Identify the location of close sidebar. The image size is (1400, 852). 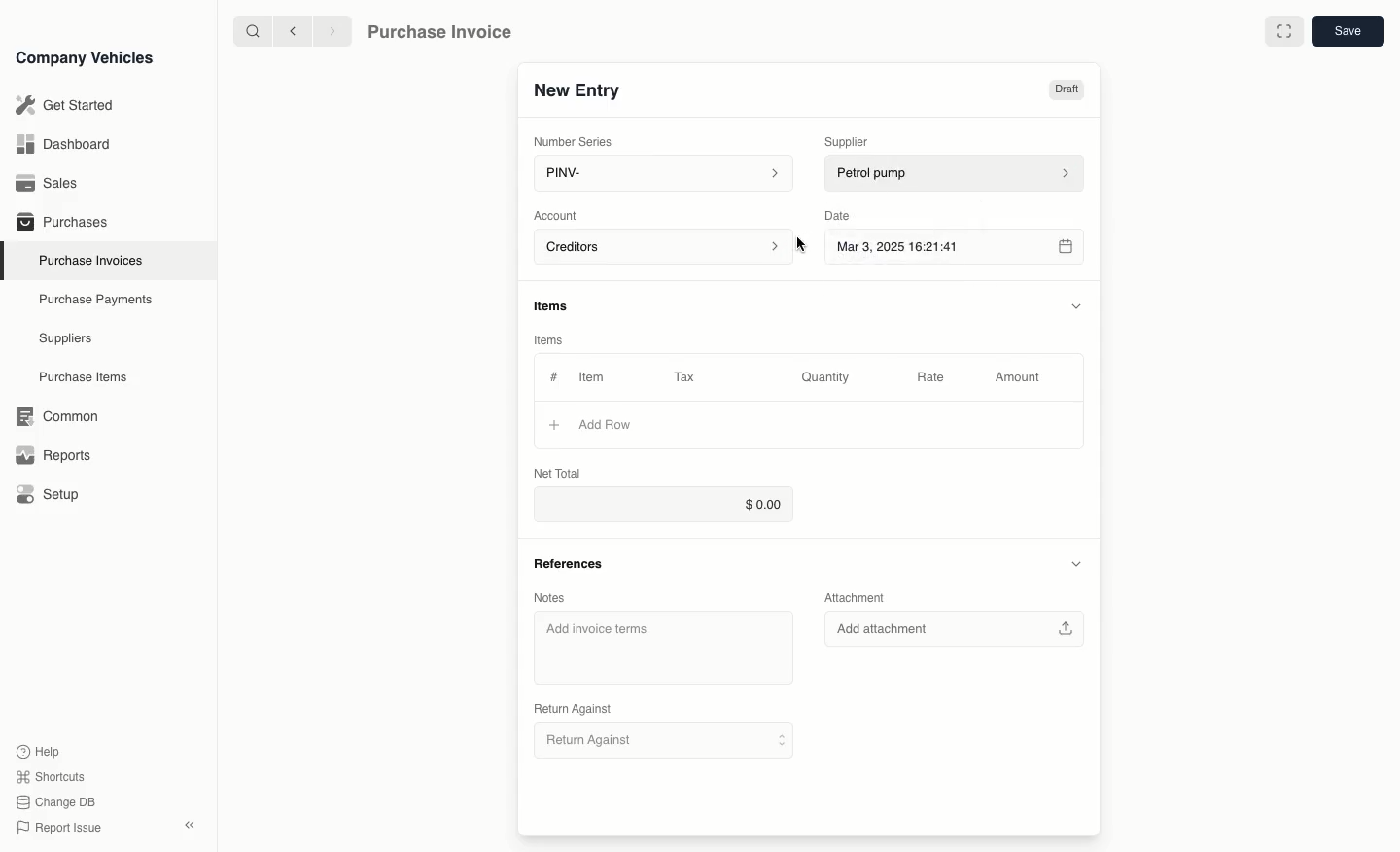
(192, 823).